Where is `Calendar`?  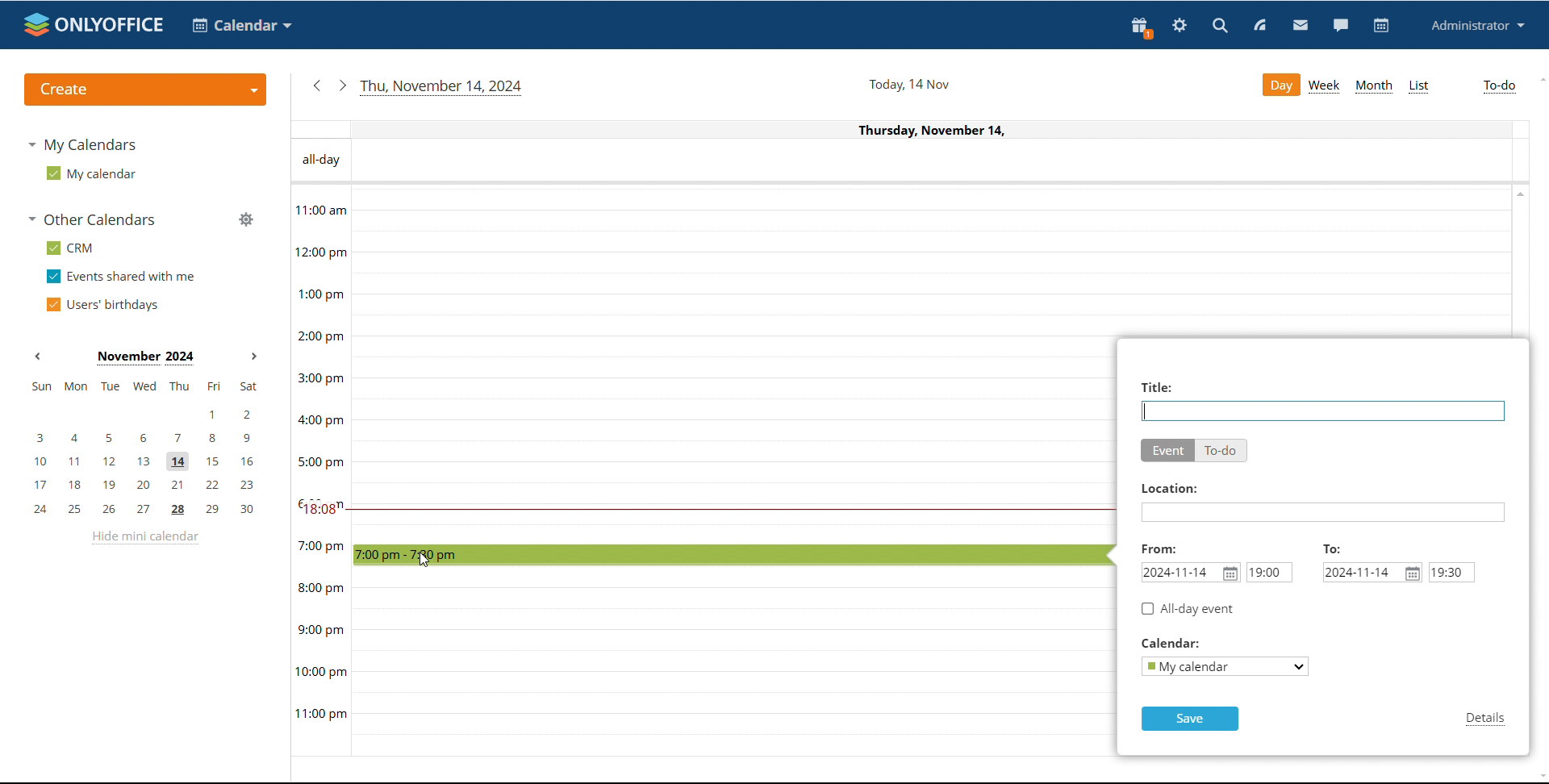 Calendar is located at coordinates (1171, 642).